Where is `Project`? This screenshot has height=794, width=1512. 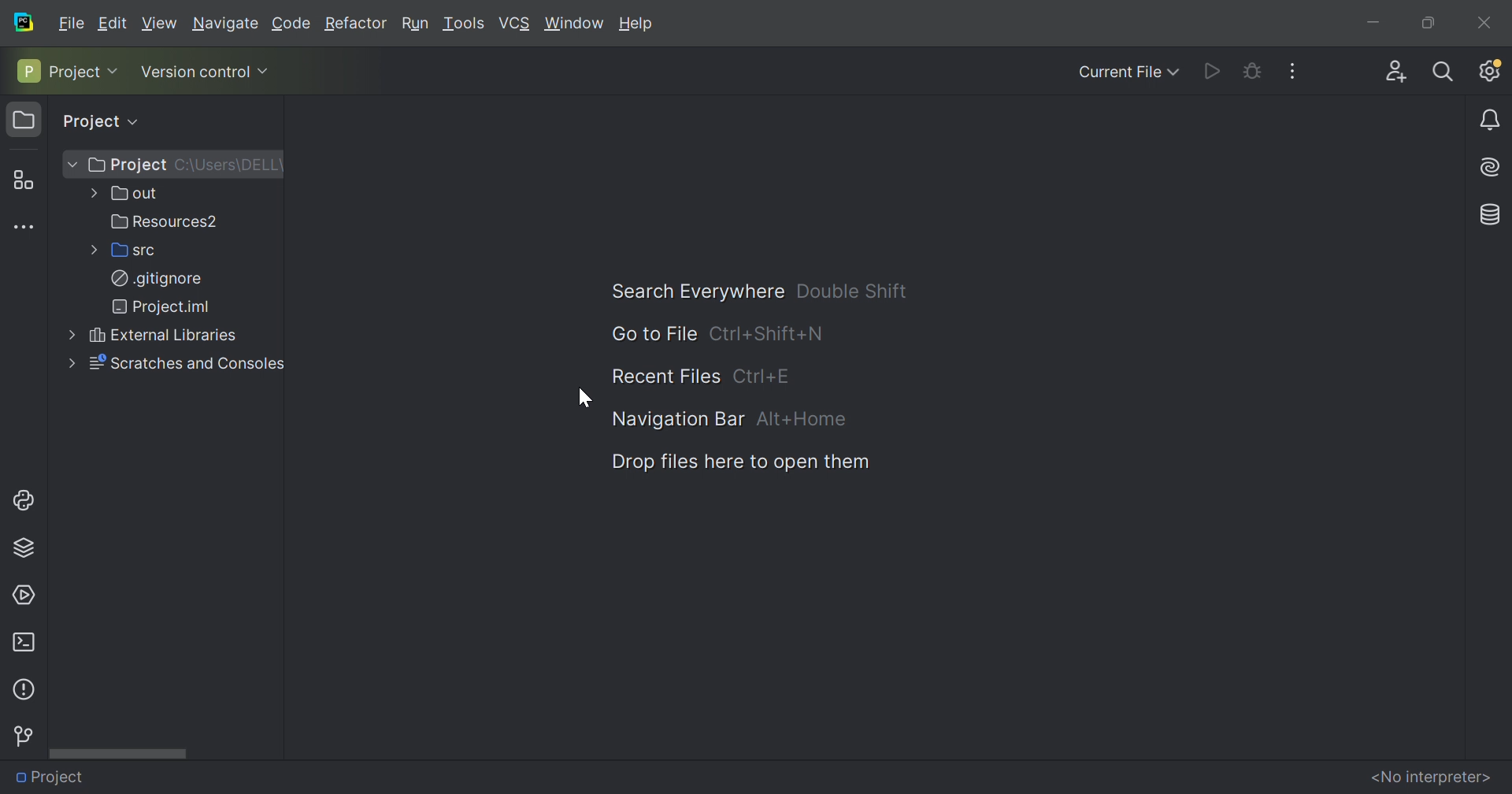
Project is located at coordinates (126, 165).